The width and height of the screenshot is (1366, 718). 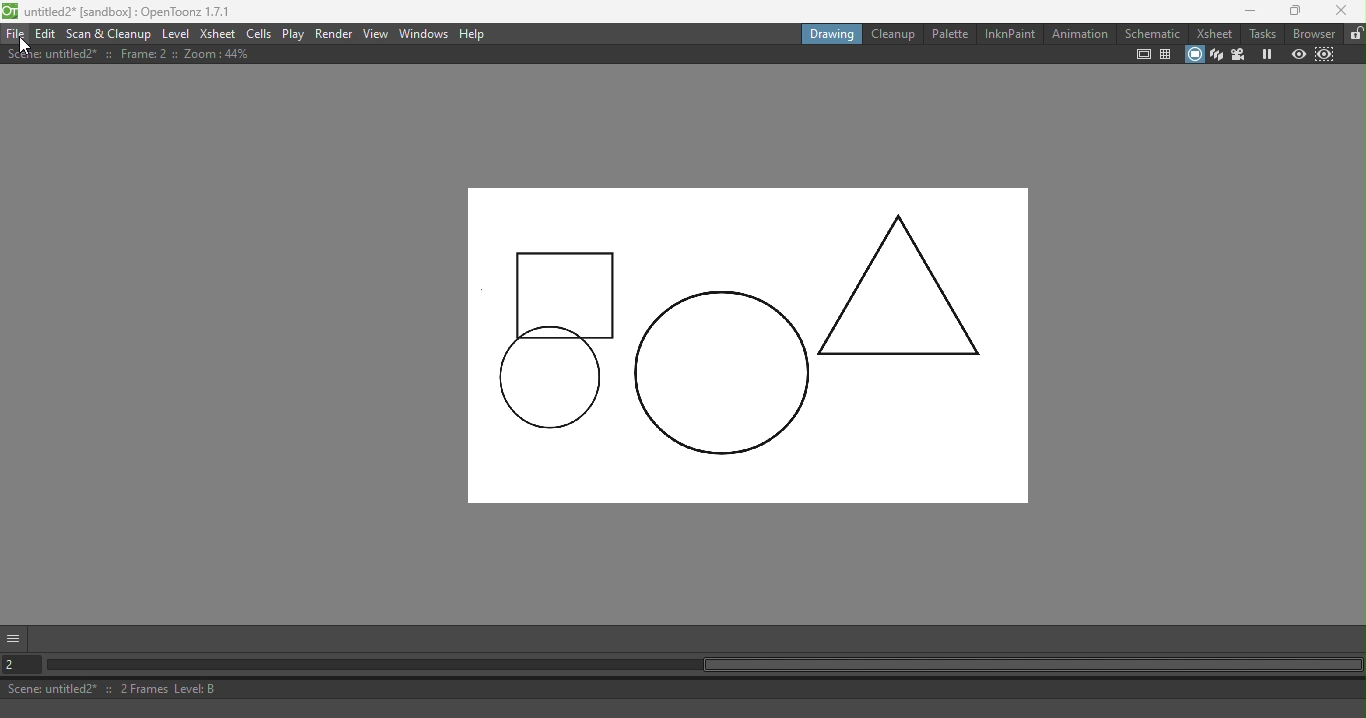 What do you see at coordinates (1144, 55) in the screenshot?
I see `Safe area` at bounding box center [1144, 55].